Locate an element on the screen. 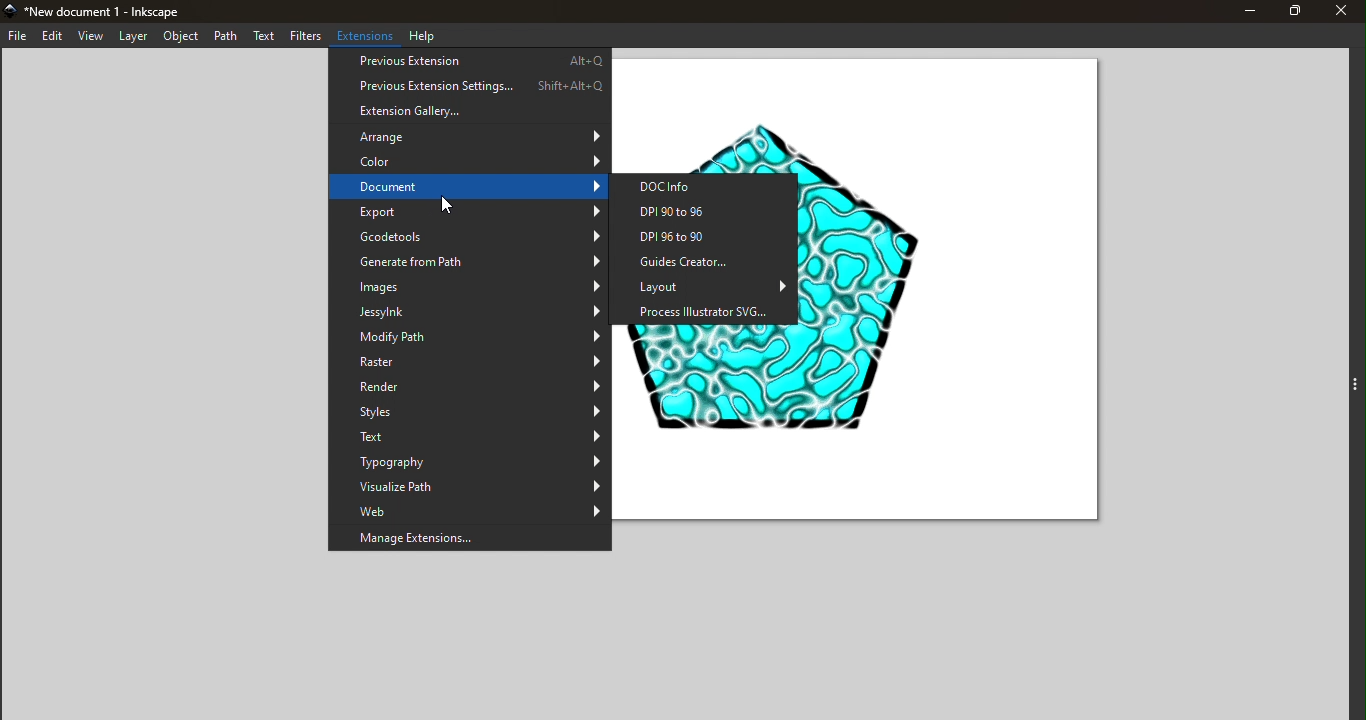  Document is located at coordinates (469, 188).